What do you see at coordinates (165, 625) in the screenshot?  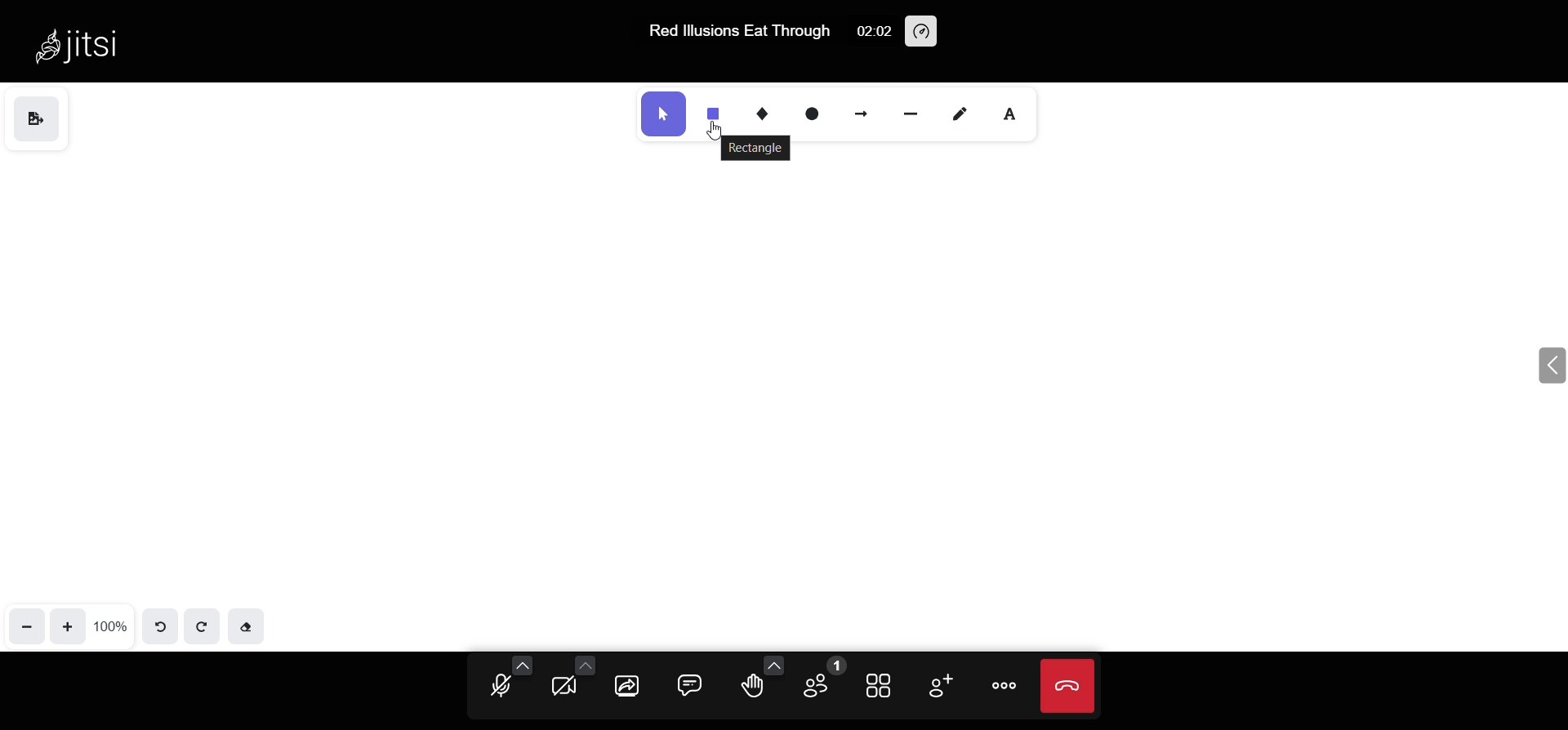 I see `undo` at bounding box center [165, 625].